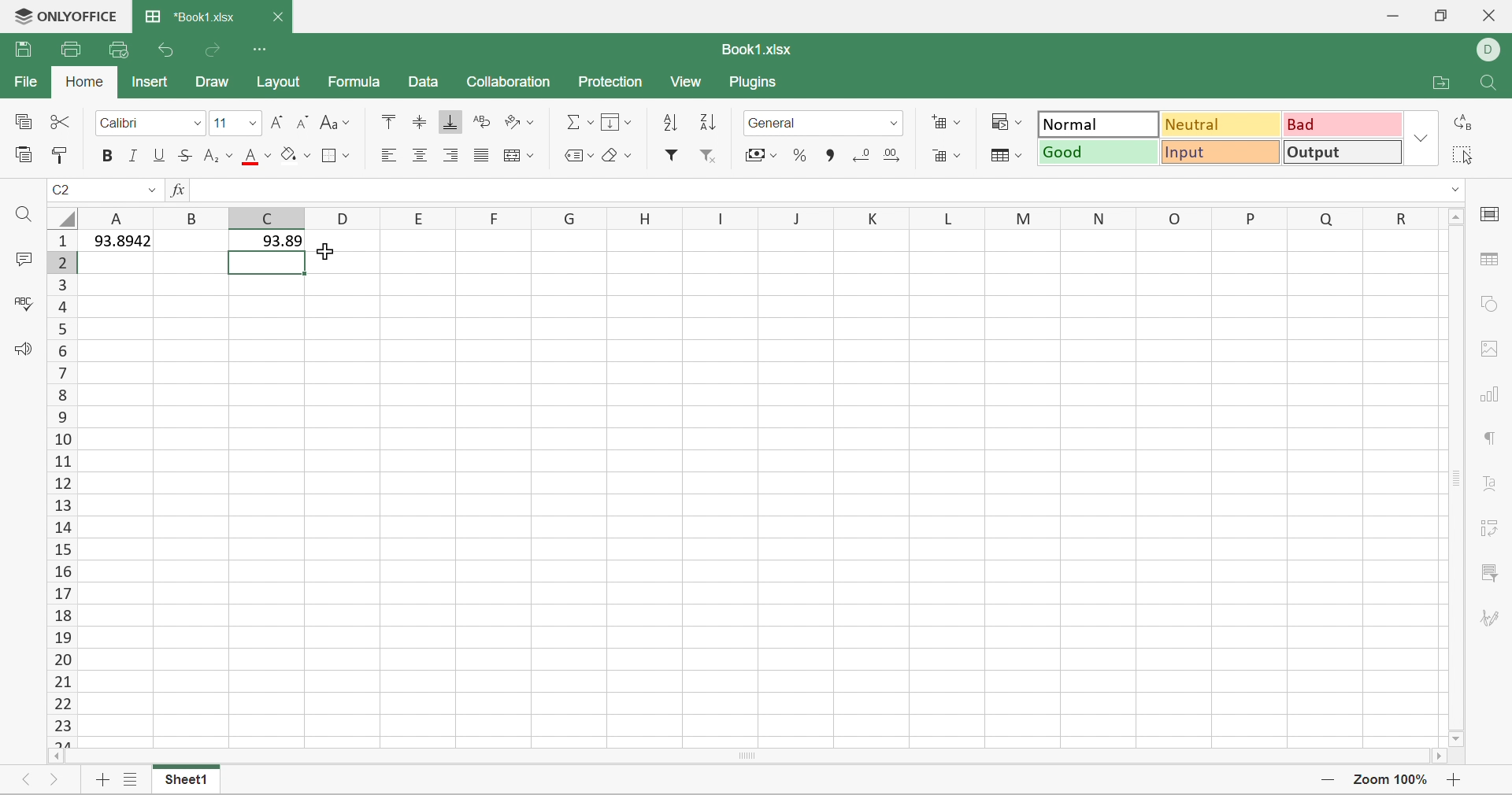  Describe the element at coordinates (480, 124) in the screenshot. I see `Wrap text` at that location.